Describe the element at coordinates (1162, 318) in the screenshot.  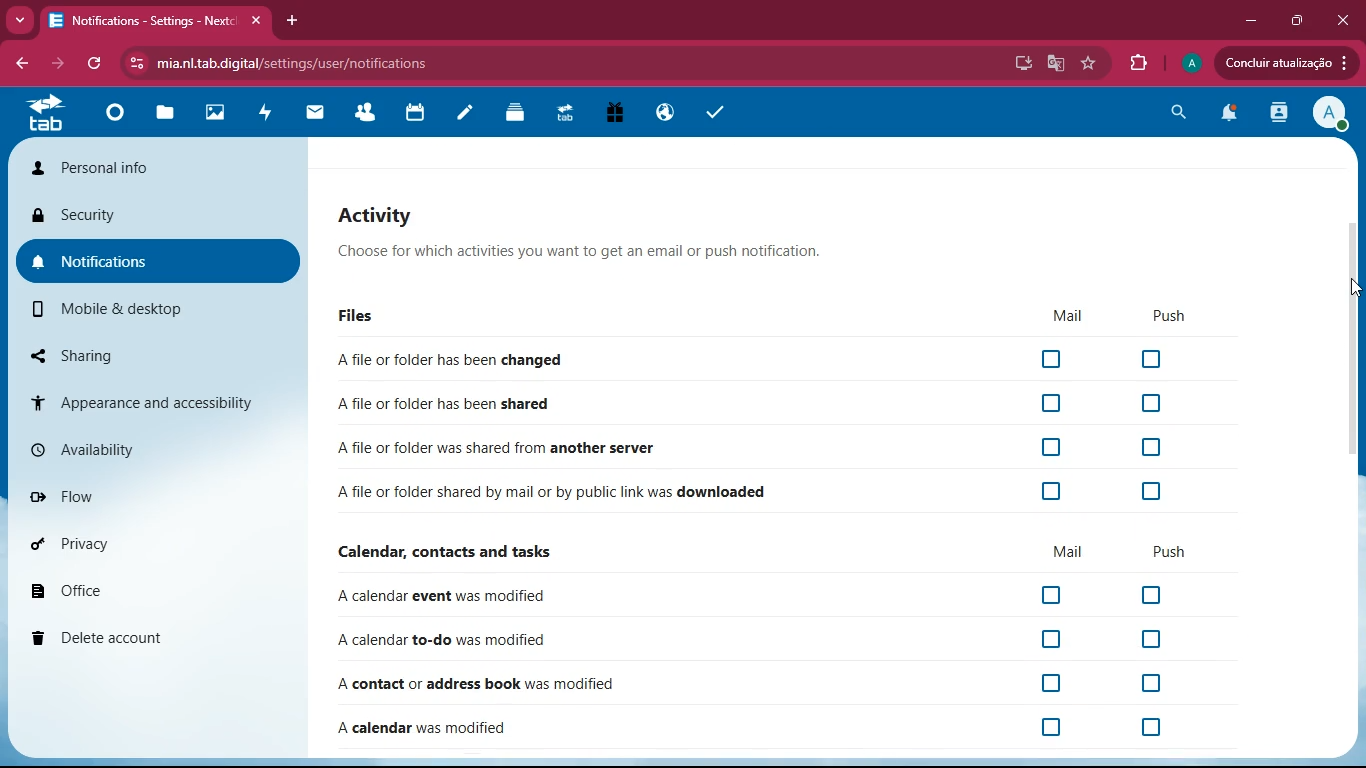
I see `Push` at that location.